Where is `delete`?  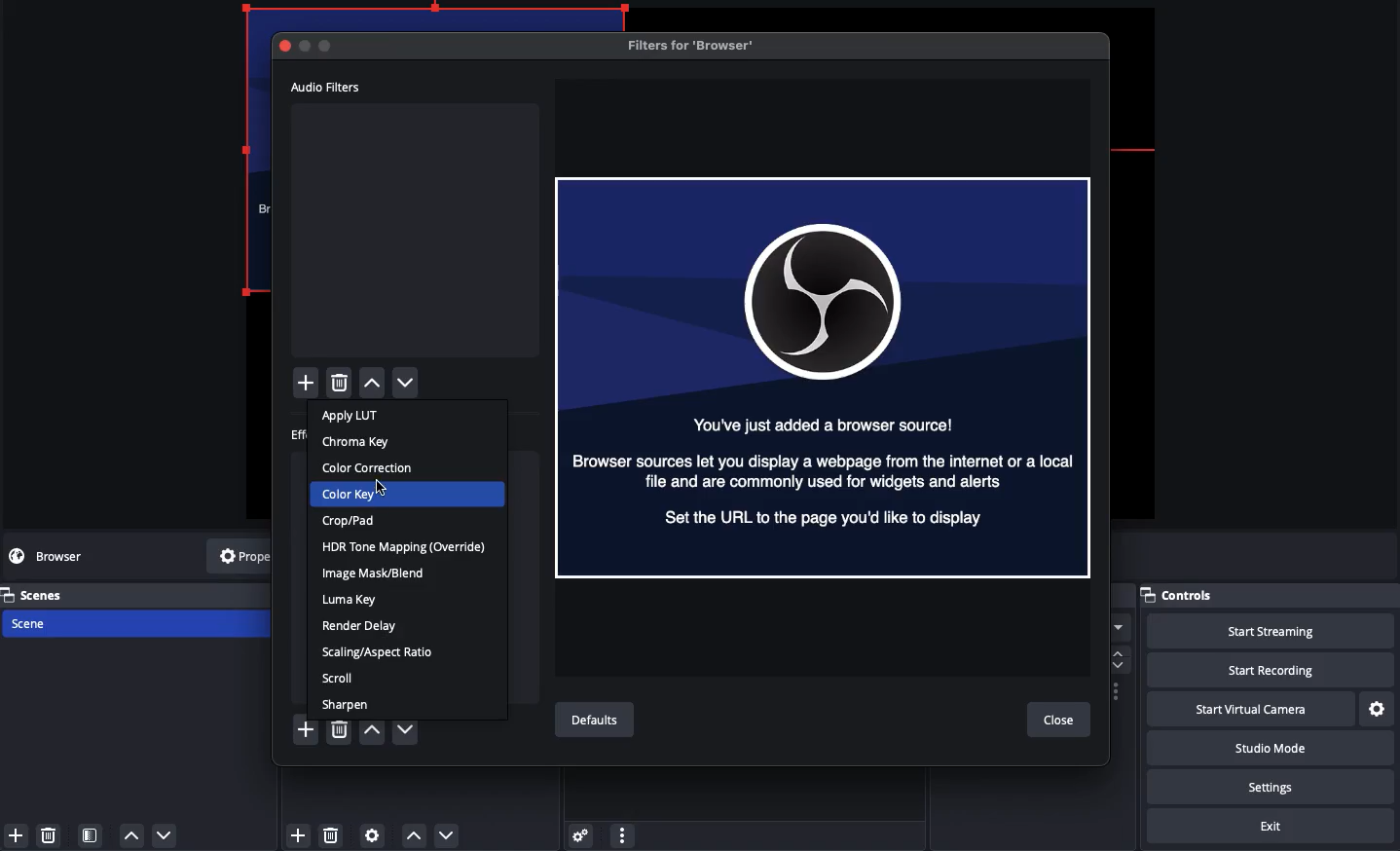 delete is located at coordinates (338, 384).